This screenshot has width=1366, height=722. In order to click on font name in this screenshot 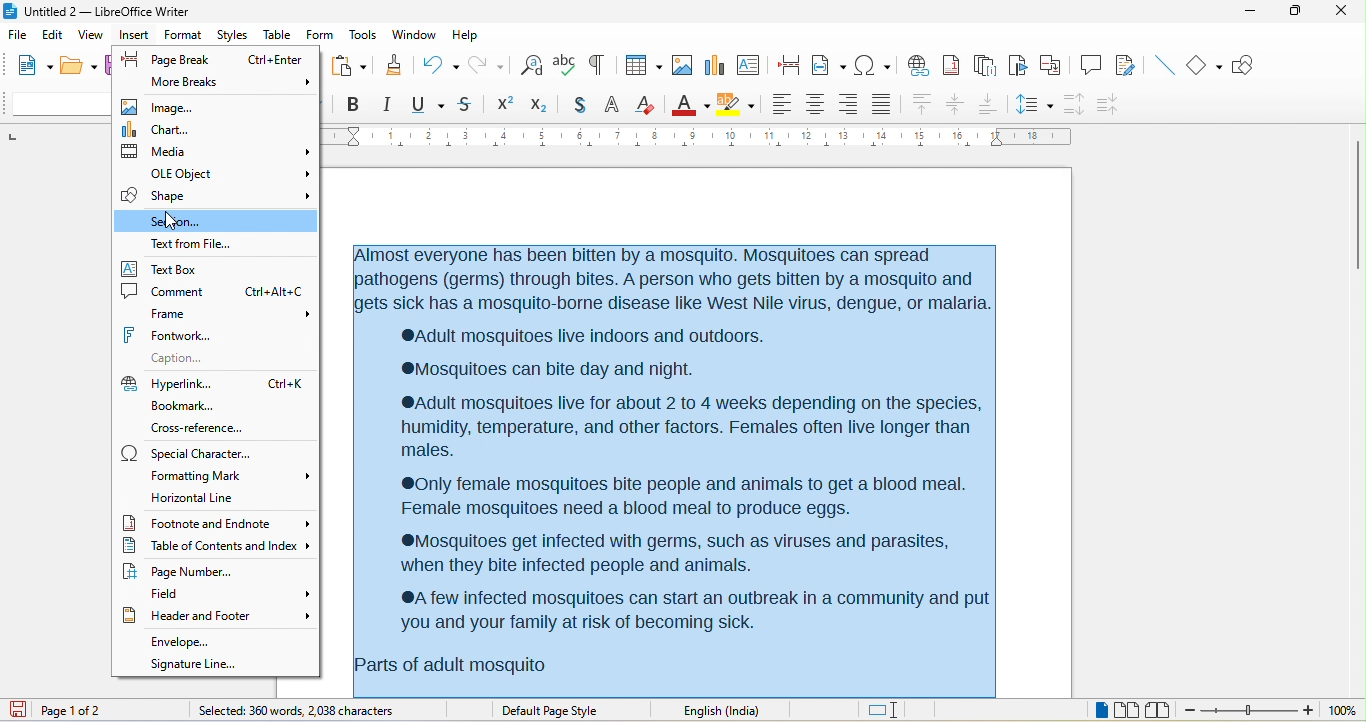, I will do `click(53, 104)`.